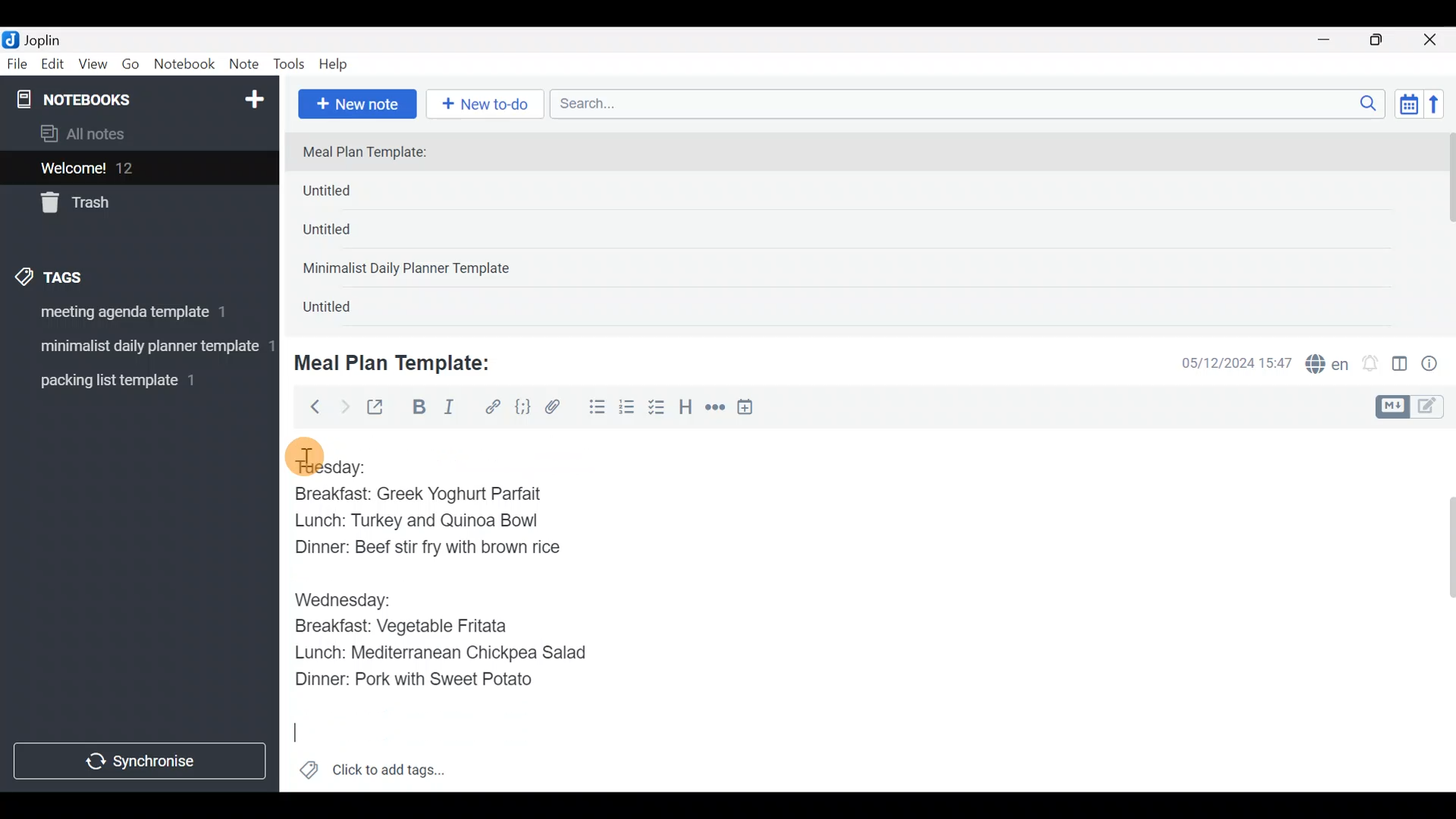 This screenshot has width=1456, height=819. Describe the element at coordinates (627, 410) in the screenshot. I see `Numbered list` at that location.